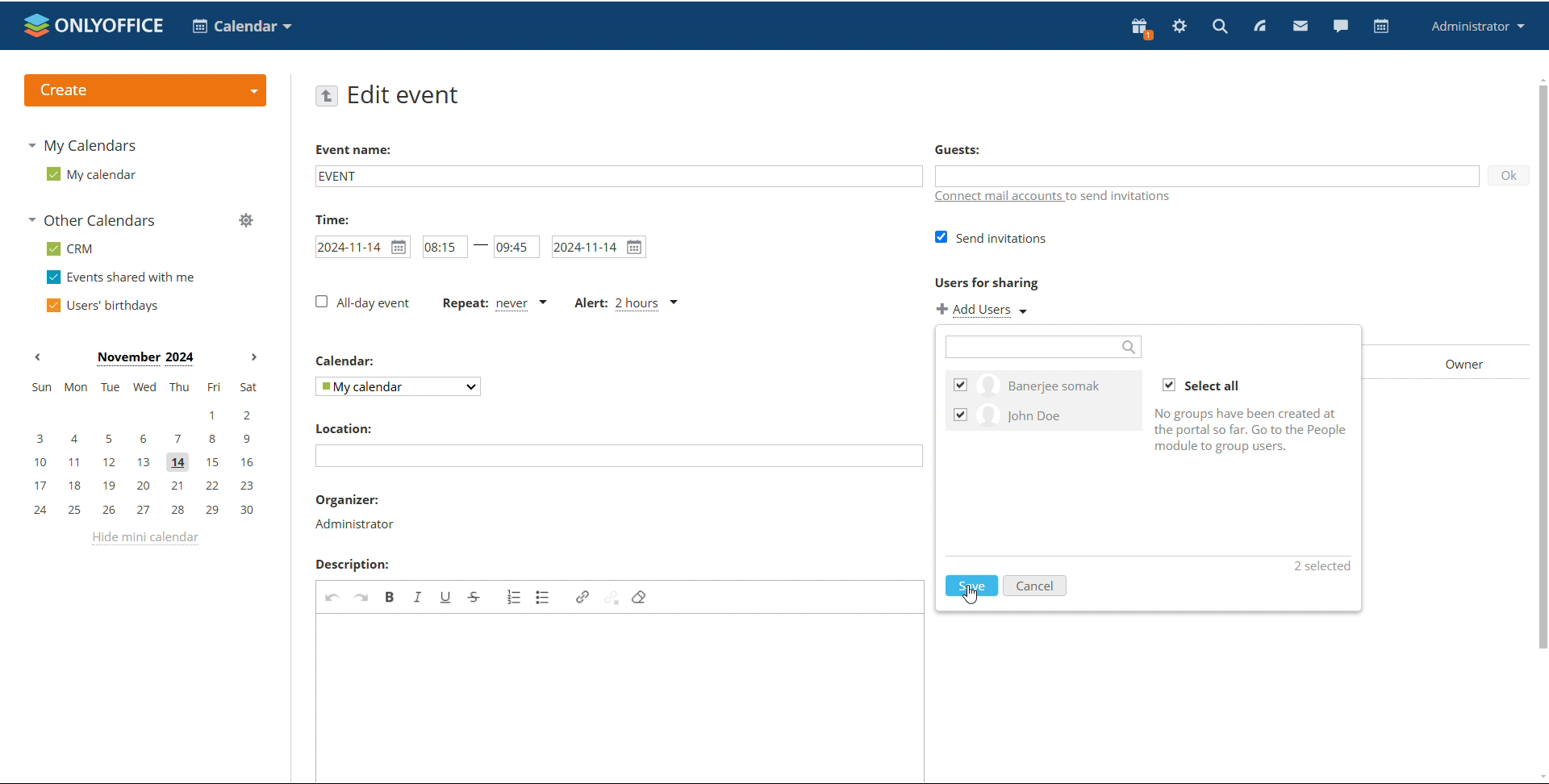 This screenshot has width=1549, height=784. What do you see at coordinates (543, 596) in the screenshot?
I see `insert/remove bulleted list` at bounding box center [543, 596].